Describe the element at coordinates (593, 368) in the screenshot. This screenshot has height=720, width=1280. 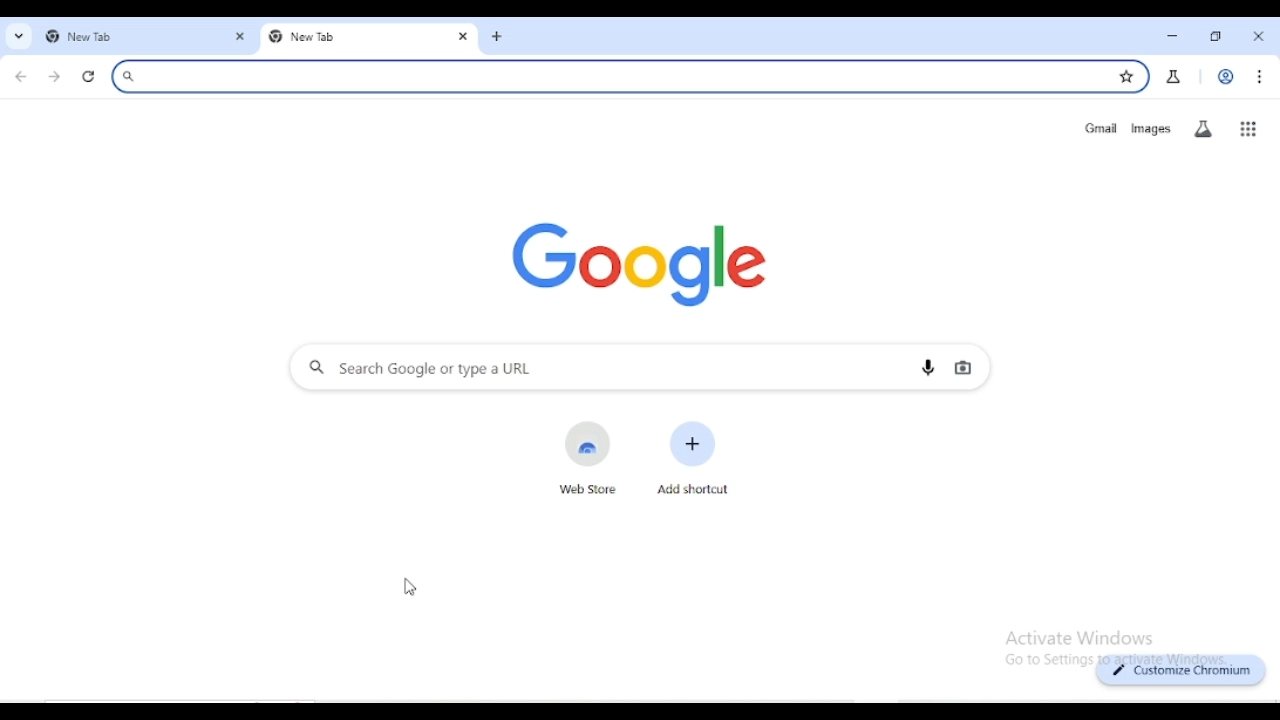
I see `search by google or type a URL` at that location.